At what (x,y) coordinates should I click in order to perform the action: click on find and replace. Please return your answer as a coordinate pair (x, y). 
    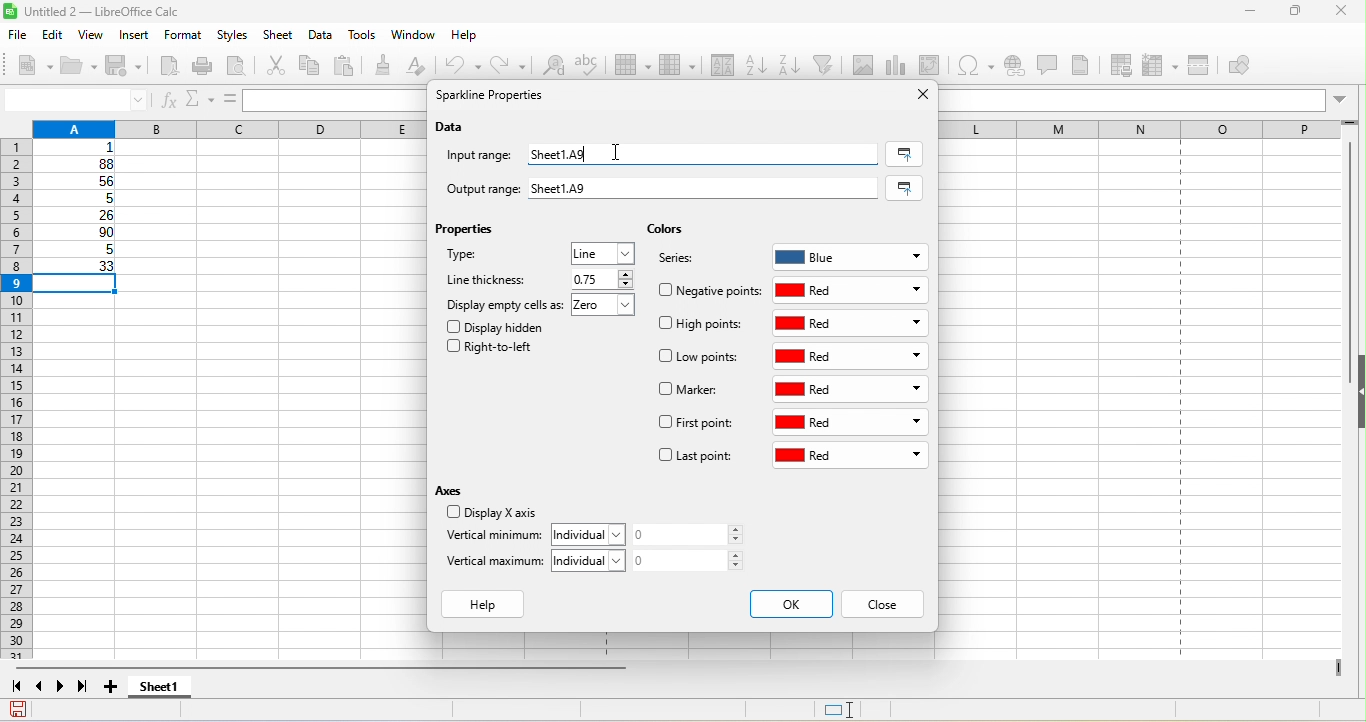
    Looking at the image, I should click on (550, 68).